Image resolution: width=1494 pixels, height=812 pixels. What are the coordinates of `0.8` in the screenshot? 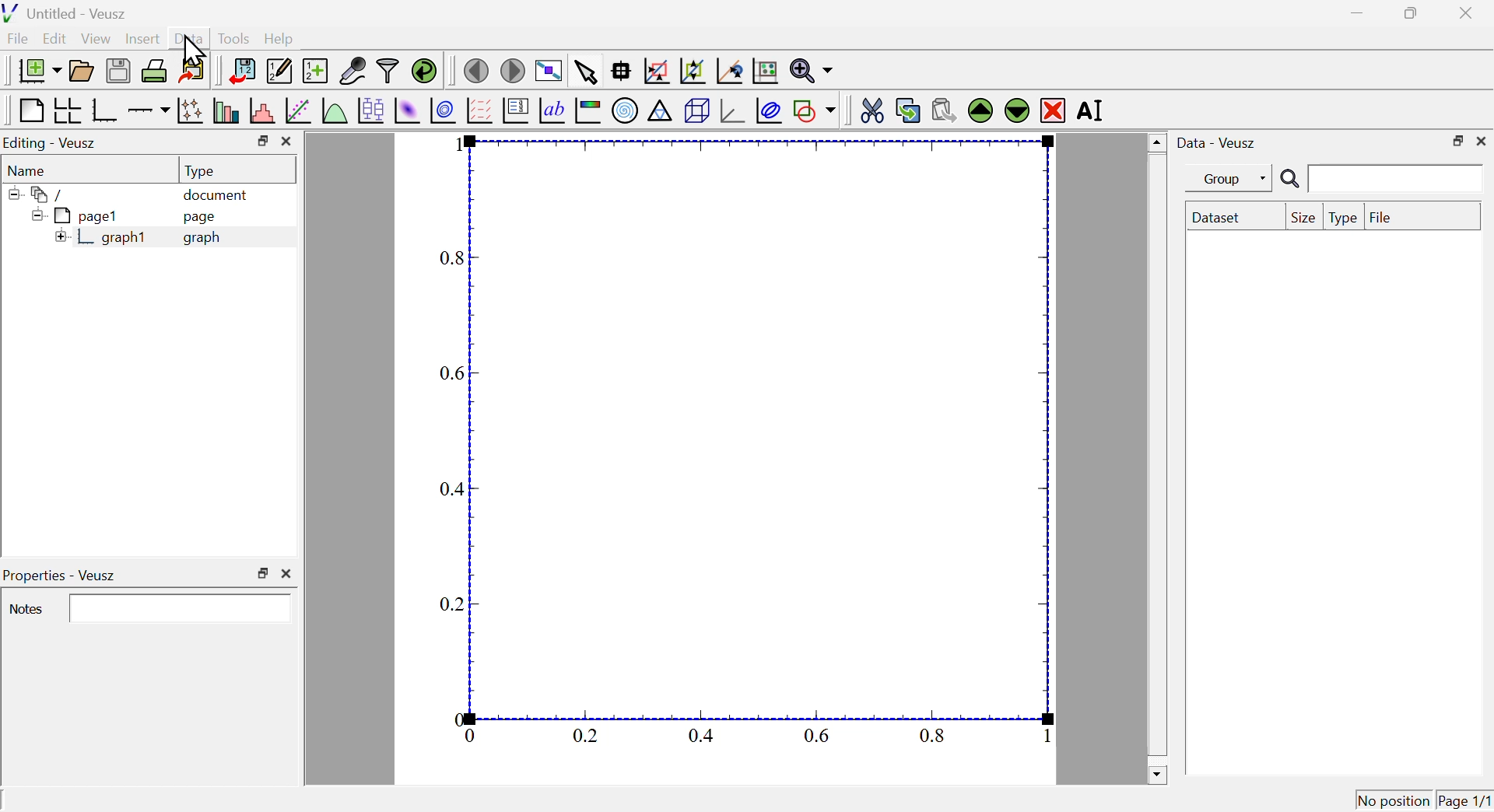 It's located at (454, 259).